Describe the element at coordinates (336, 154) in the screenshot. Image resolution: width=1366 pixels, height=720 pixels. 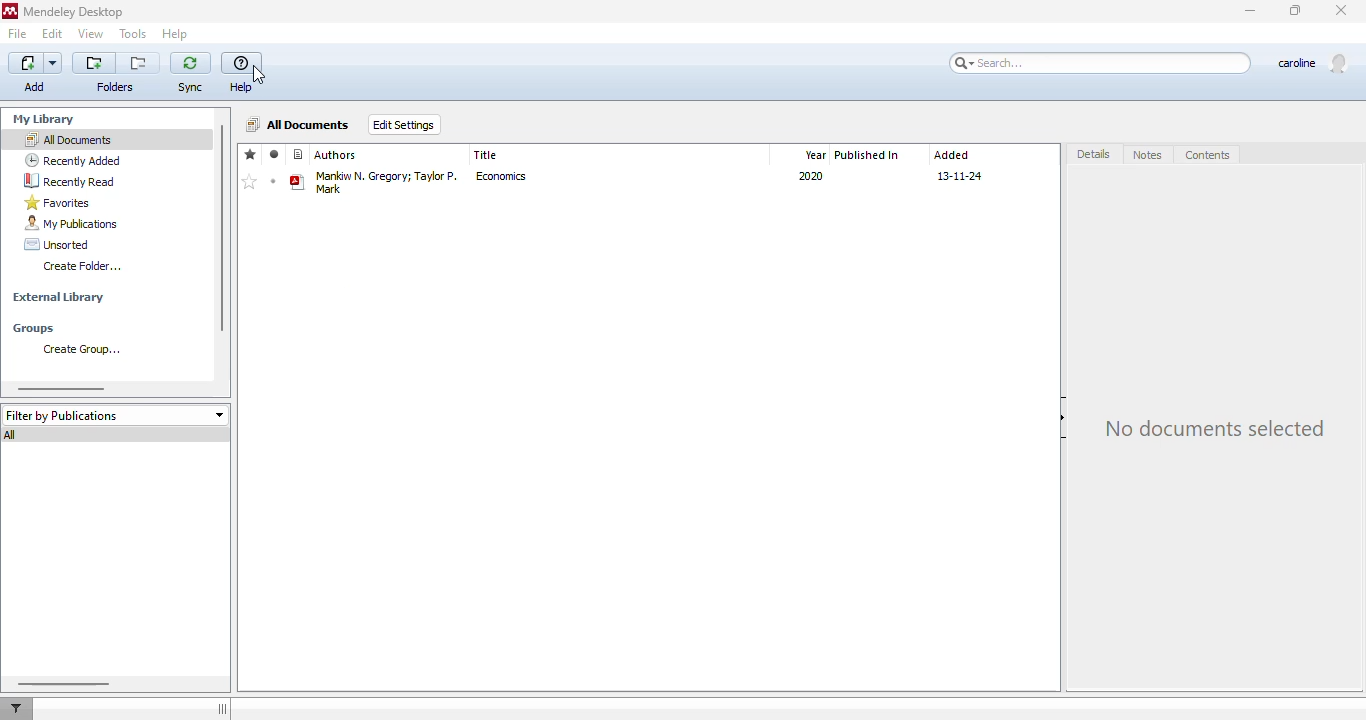
I see `authors` at that location.